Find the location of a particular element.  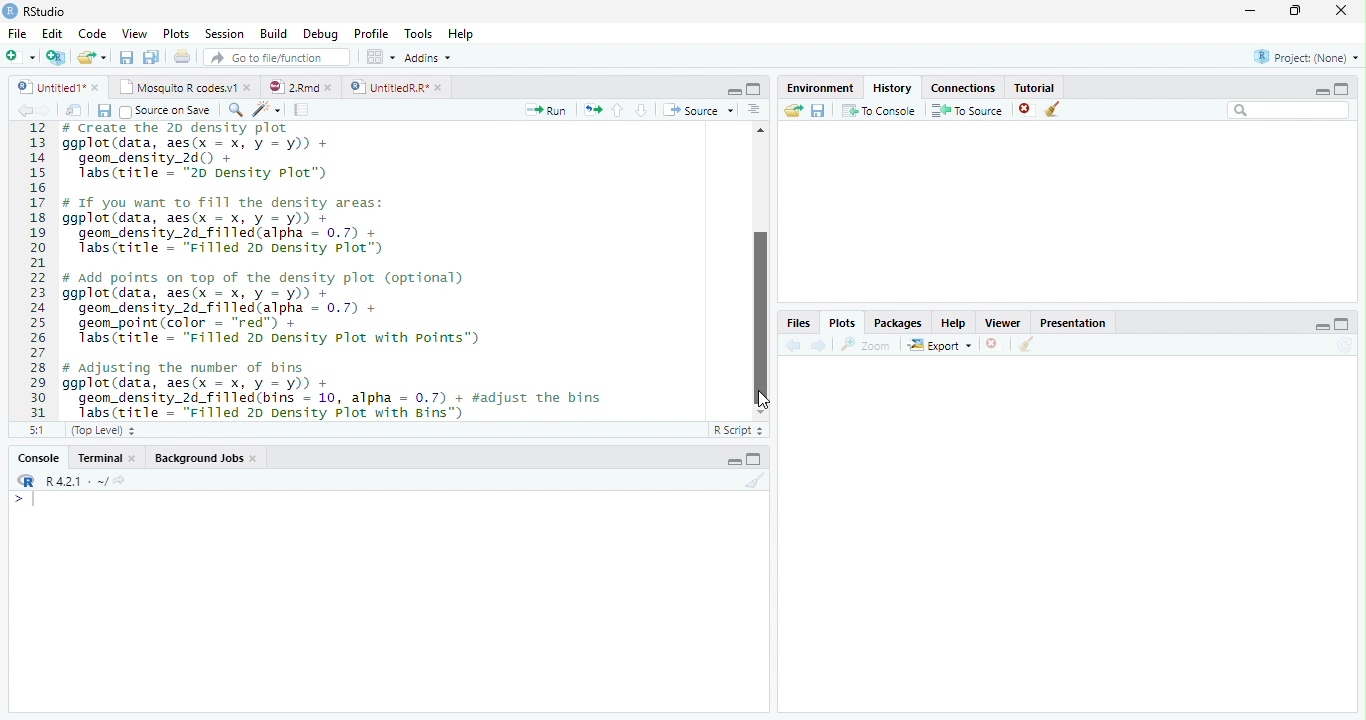

Search is located at coordinates (1289, 110).